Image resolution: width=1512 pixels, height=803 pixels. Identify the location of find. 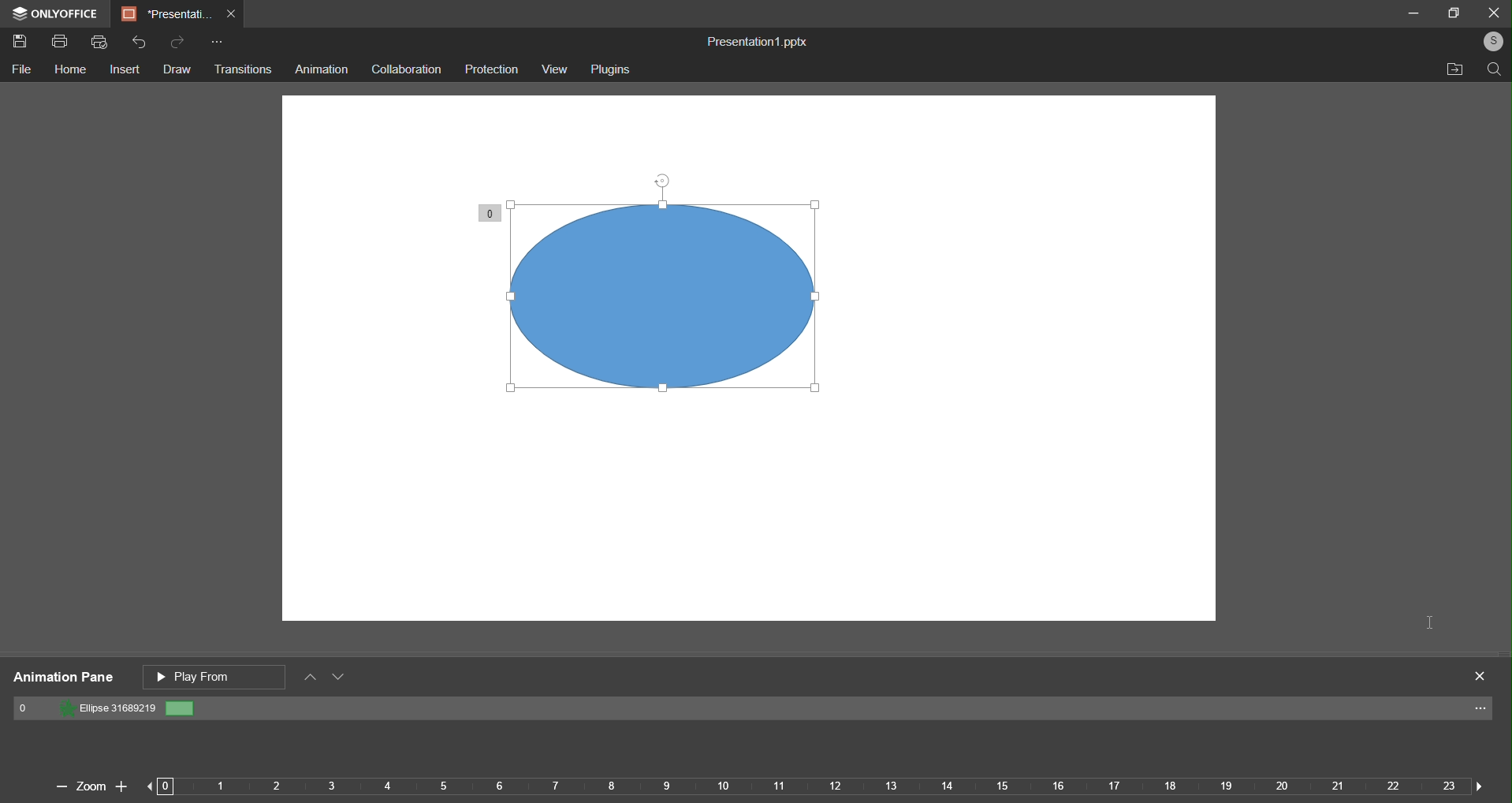
(1492, 69).